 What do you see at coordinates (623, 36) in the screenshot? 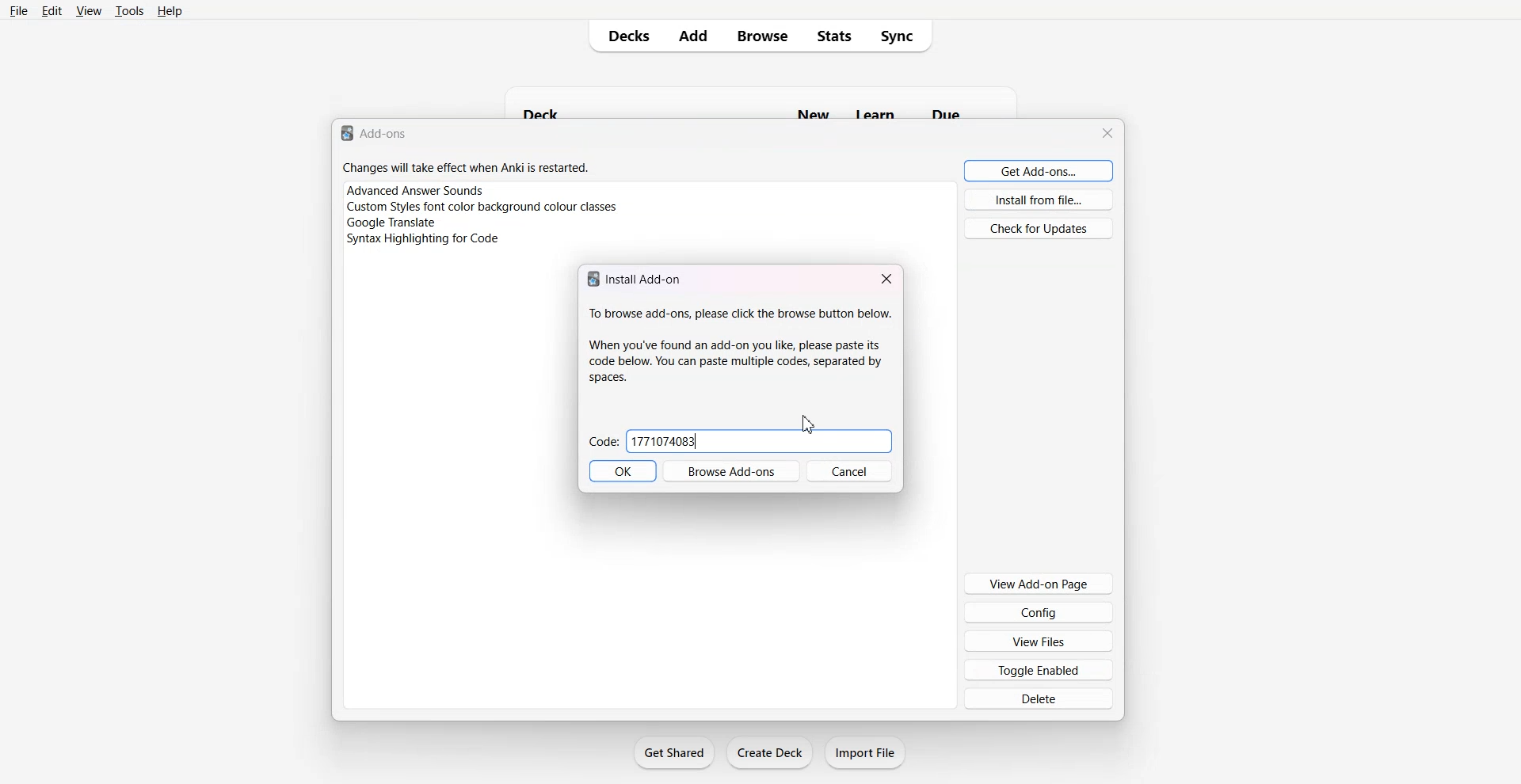
I see `Decks` at bounding box center [623, 36].